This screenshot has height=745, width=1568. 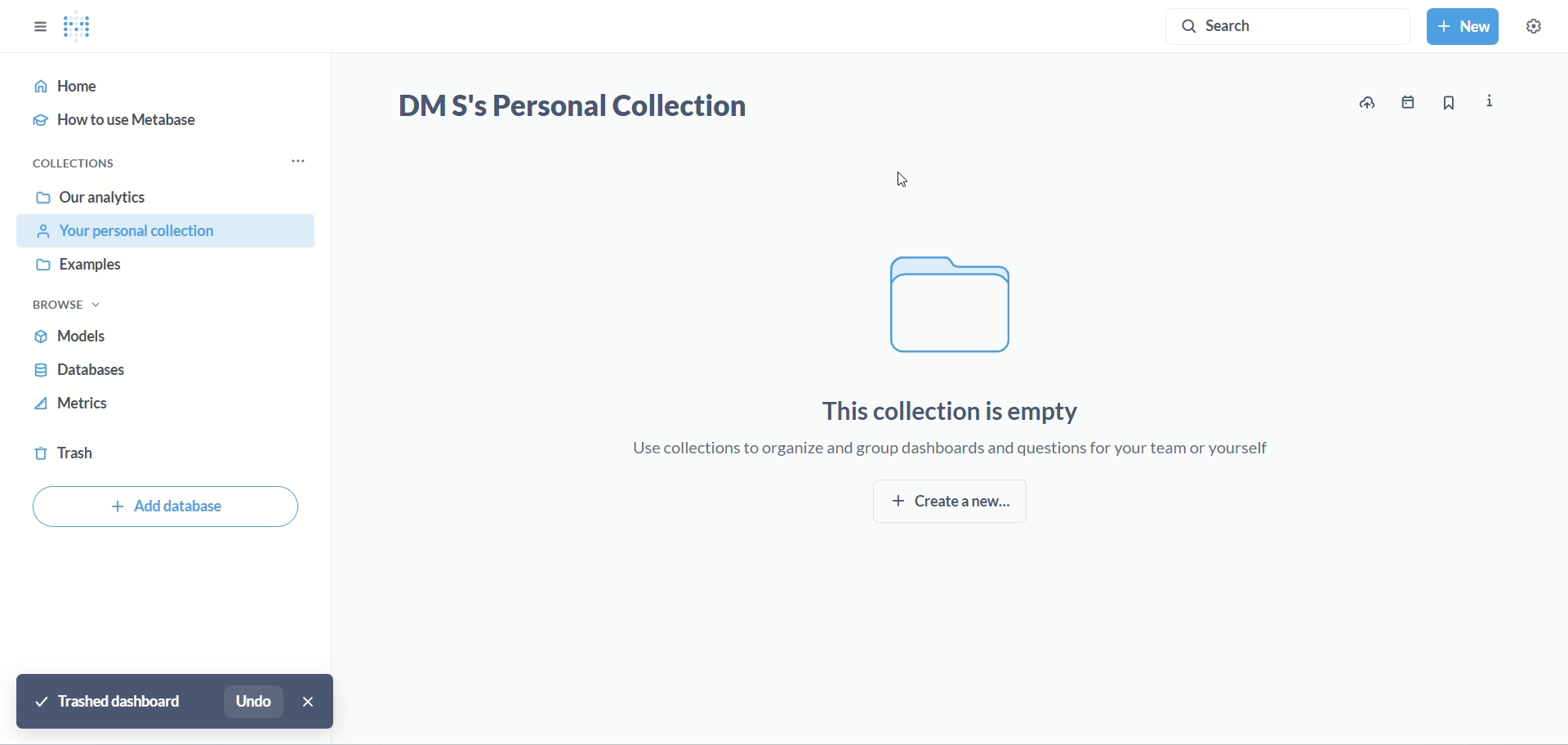 I want to click on our analytics, so click(x=91, y=198).